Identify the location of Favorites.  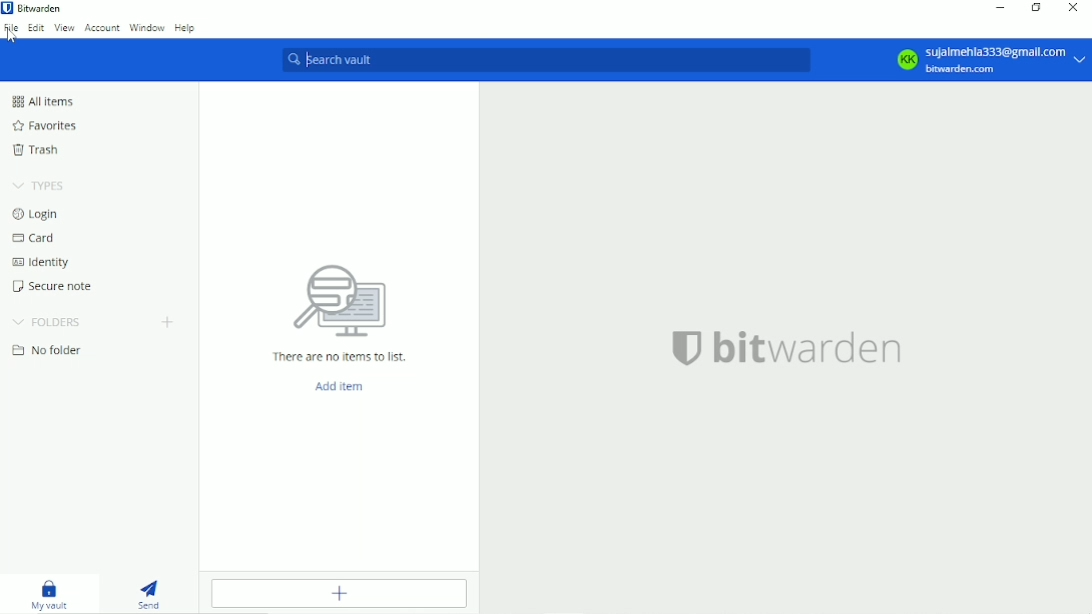
(44, 126).